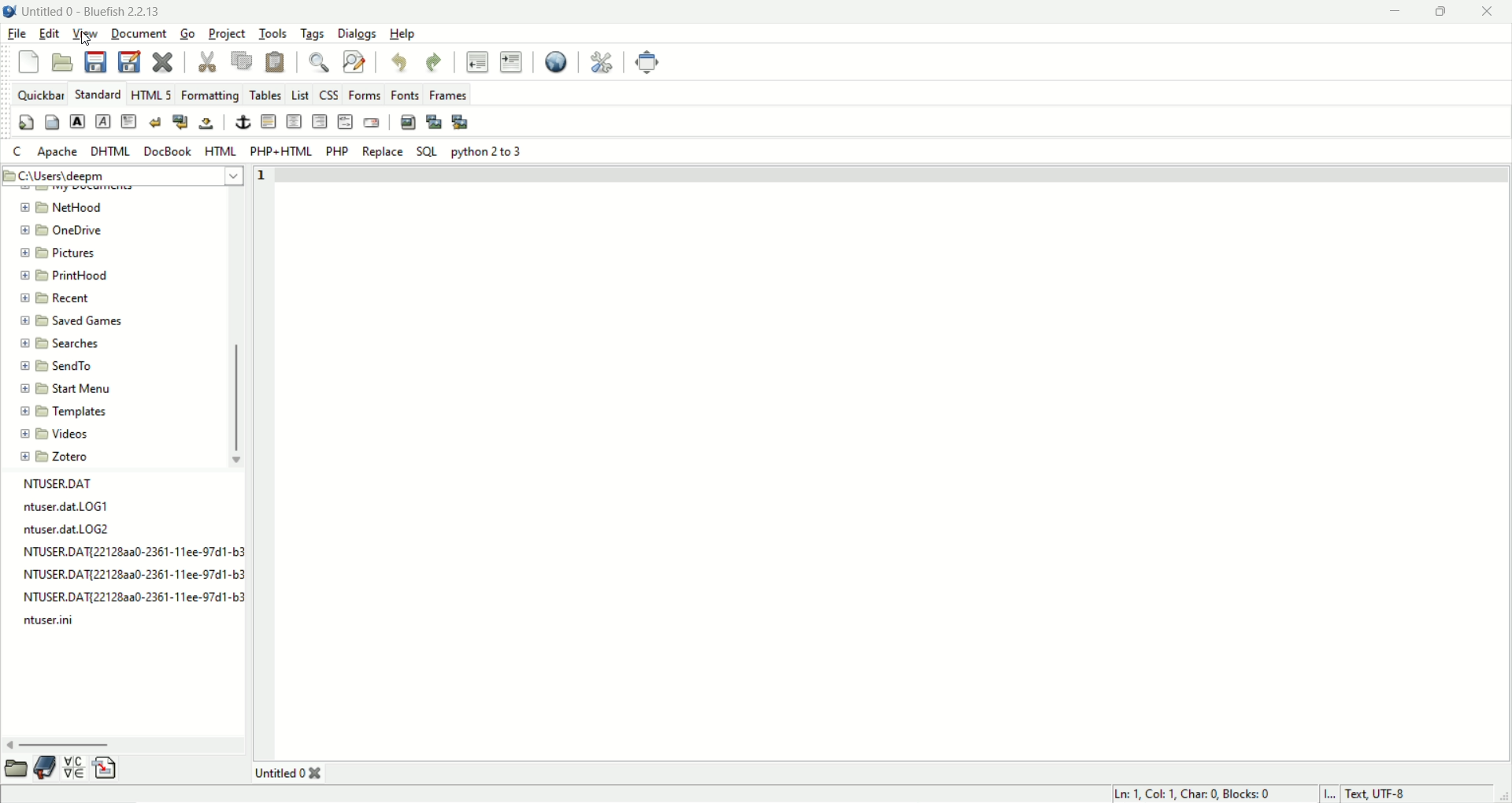 The image size is (1512, 803). I want to click on documentation, so click(46, 767).